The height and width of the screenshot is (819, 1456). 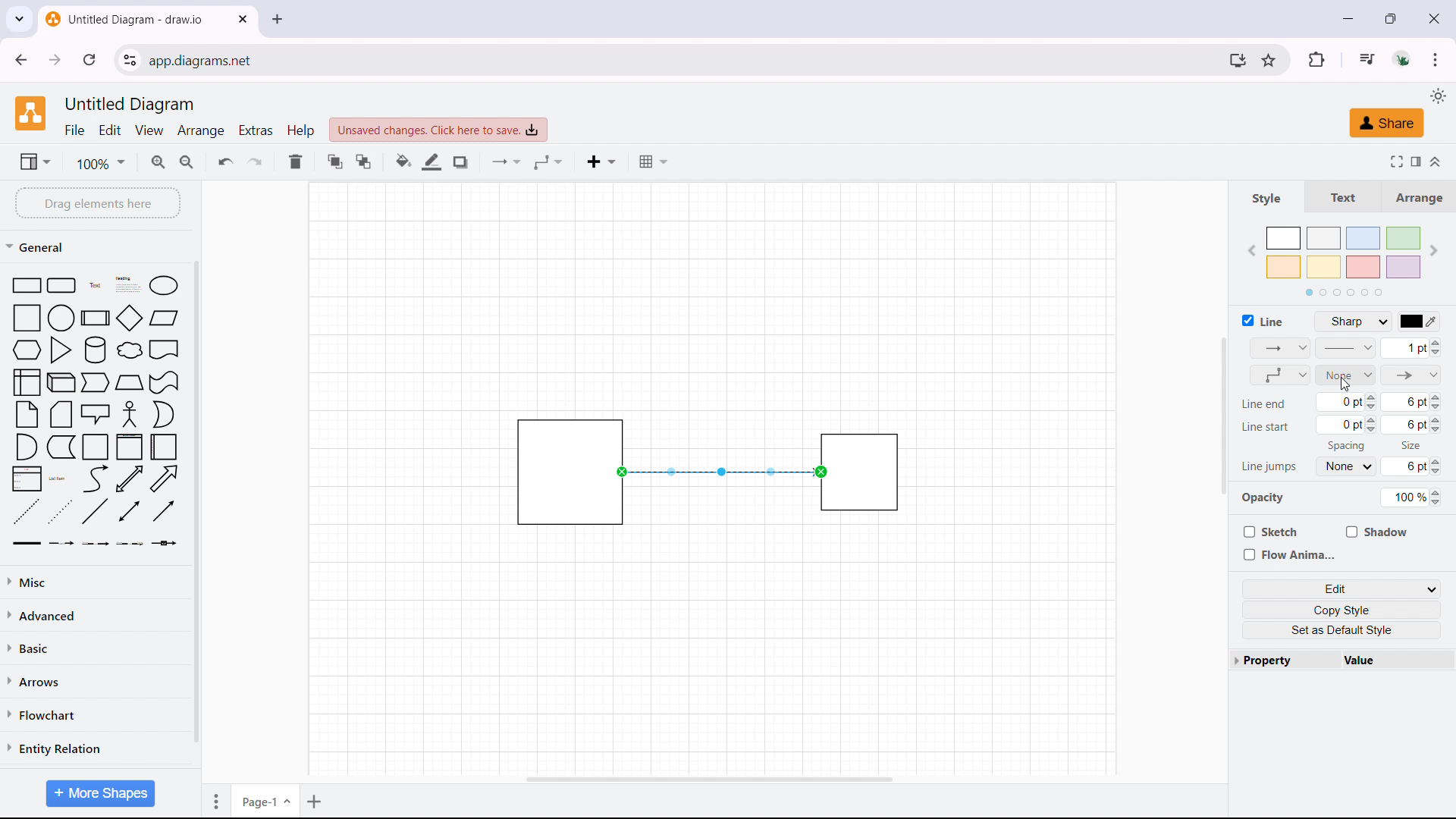 I want to click on delete, so click(x=295, y=162).